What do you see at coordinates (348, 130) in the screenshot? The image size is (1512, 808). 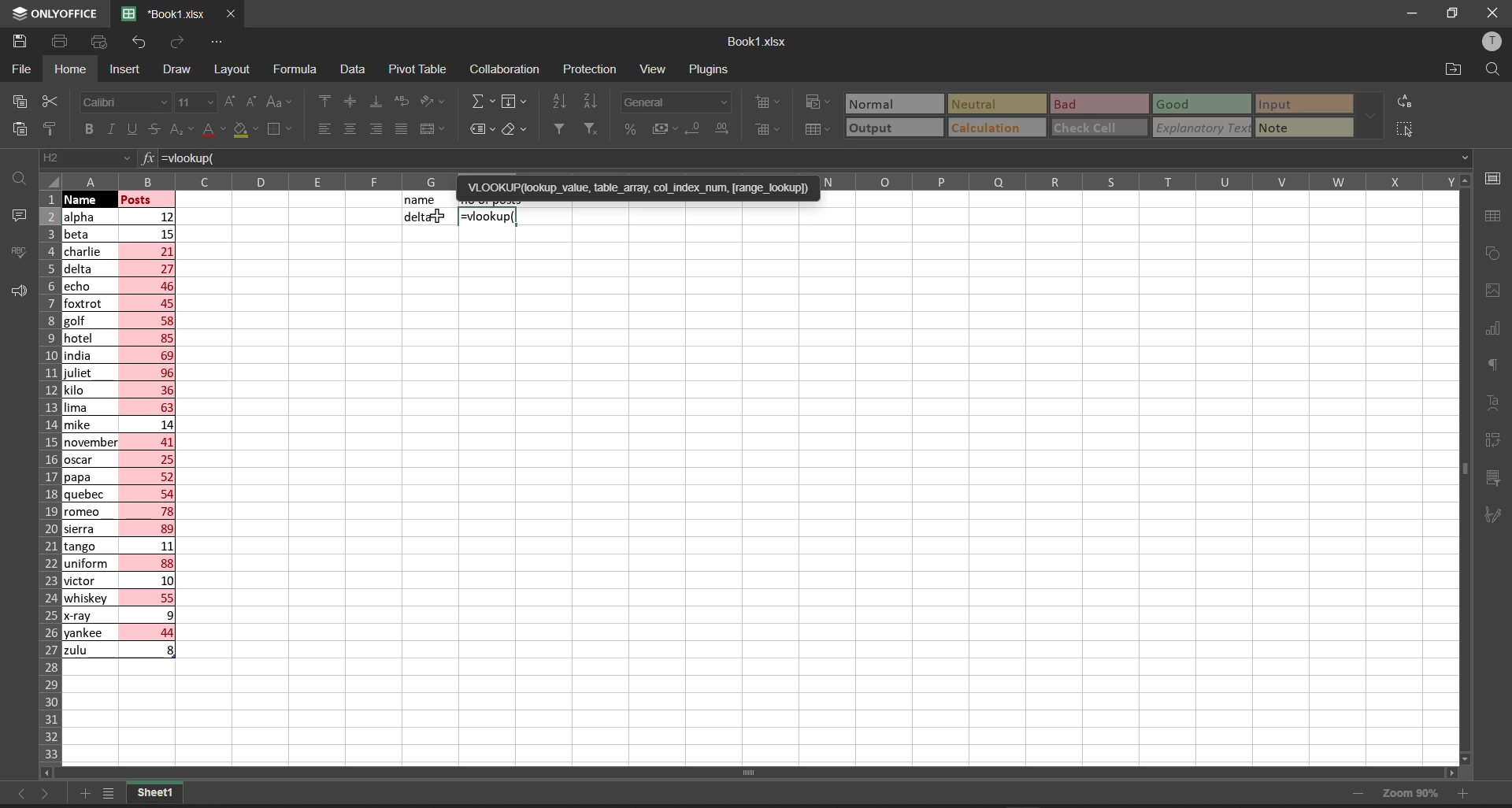 I see `align center` at bounding box center [348, 130].